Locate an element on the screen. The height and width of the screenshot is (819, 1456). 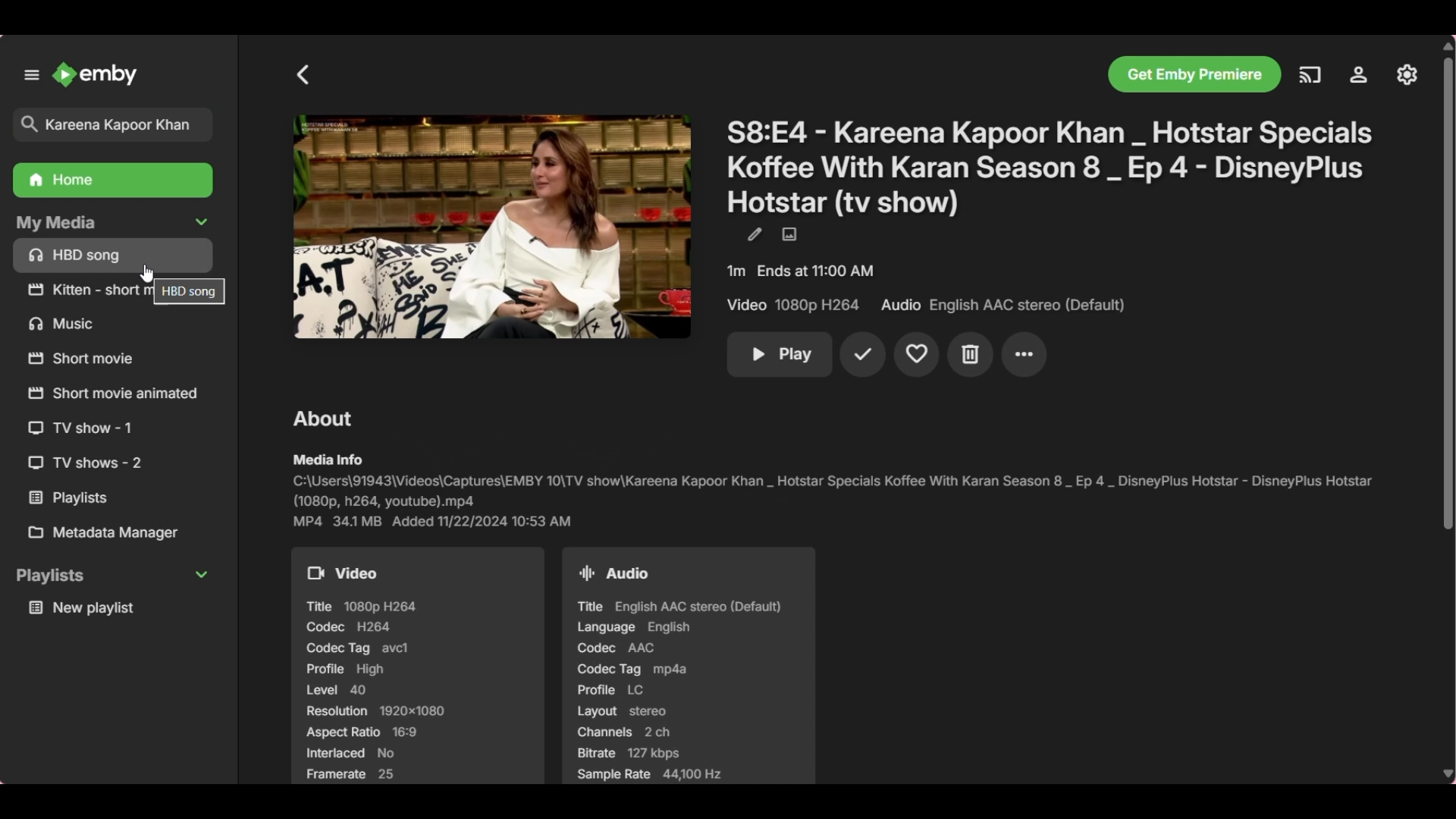
 is located at coordinates (1445, 295).